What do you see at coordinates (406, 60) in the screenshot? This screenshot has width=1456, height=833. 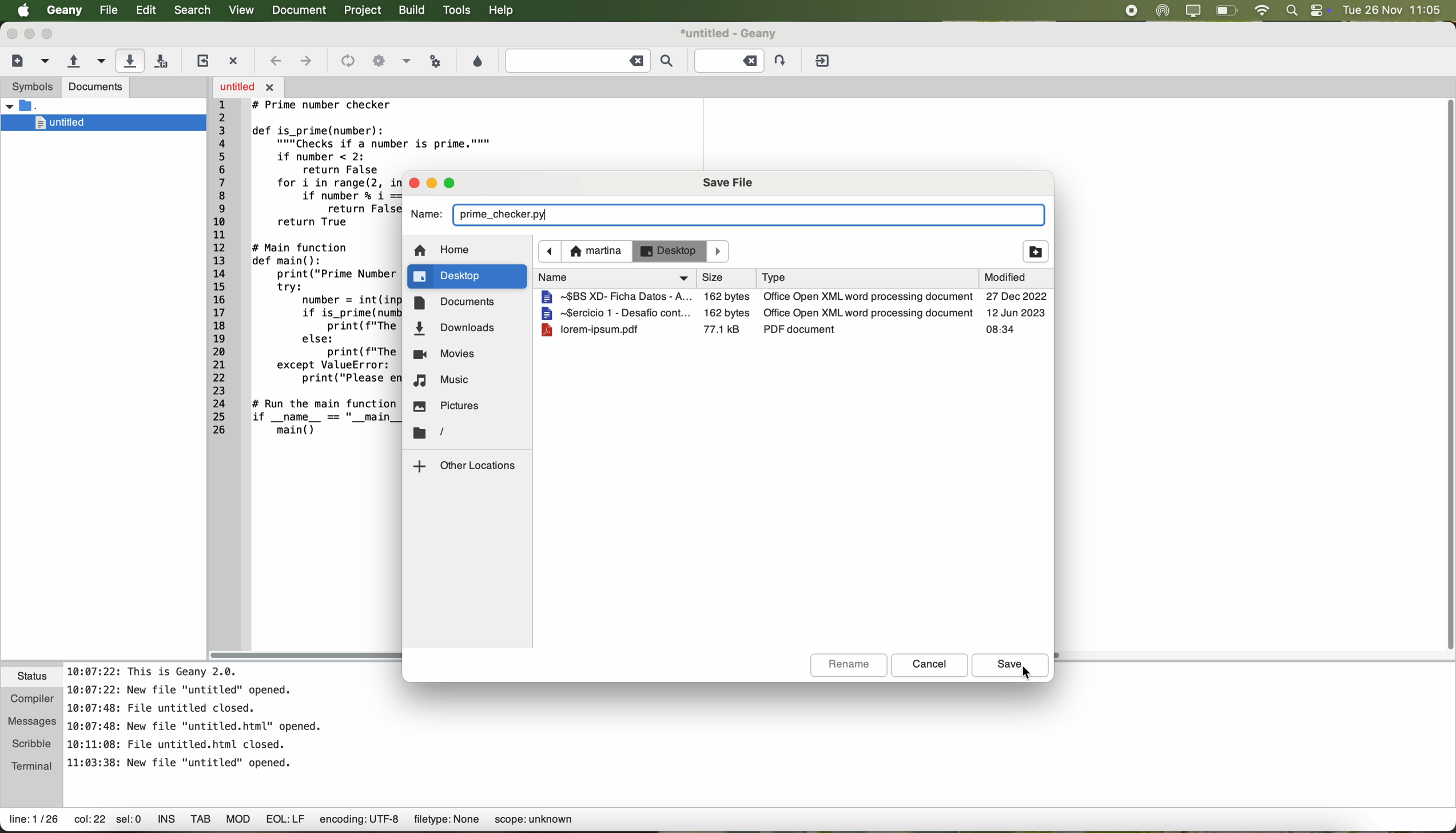 I see `option` at bounding box center [406, 60].